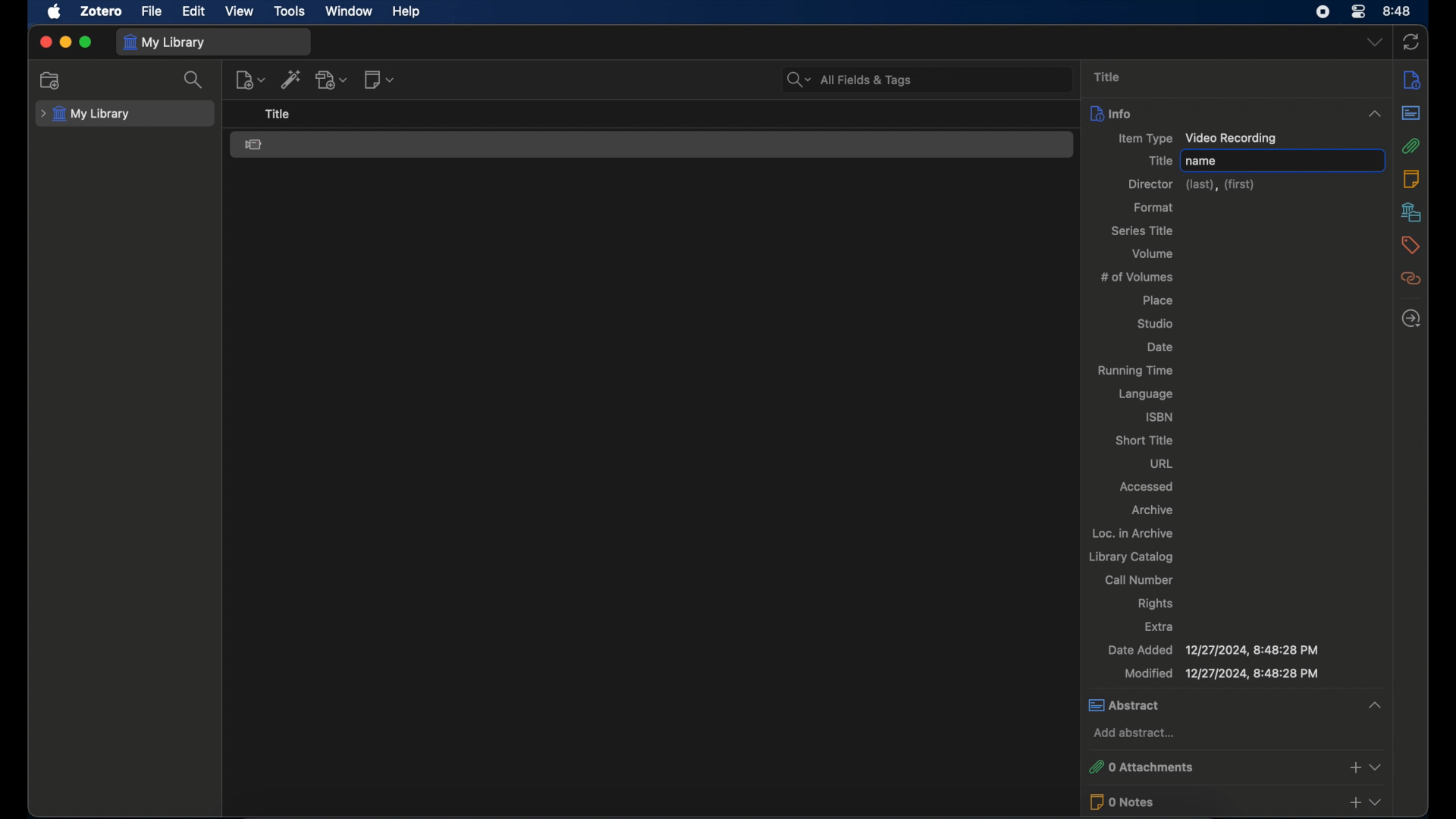 This screenshot has width=1456, height=819. I want to click on sync, so click(1412, 42).